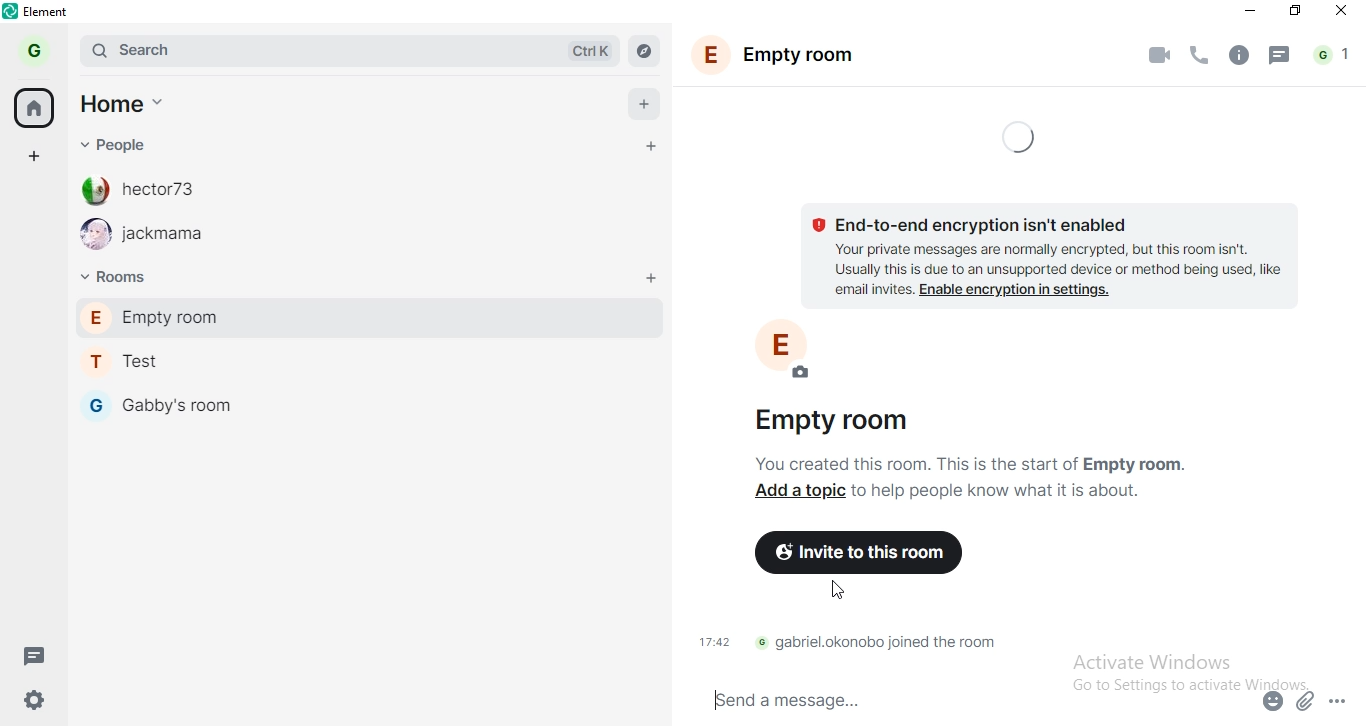 This screenshot has width=1366, height=726. I want to click on people, so click(128, 142).